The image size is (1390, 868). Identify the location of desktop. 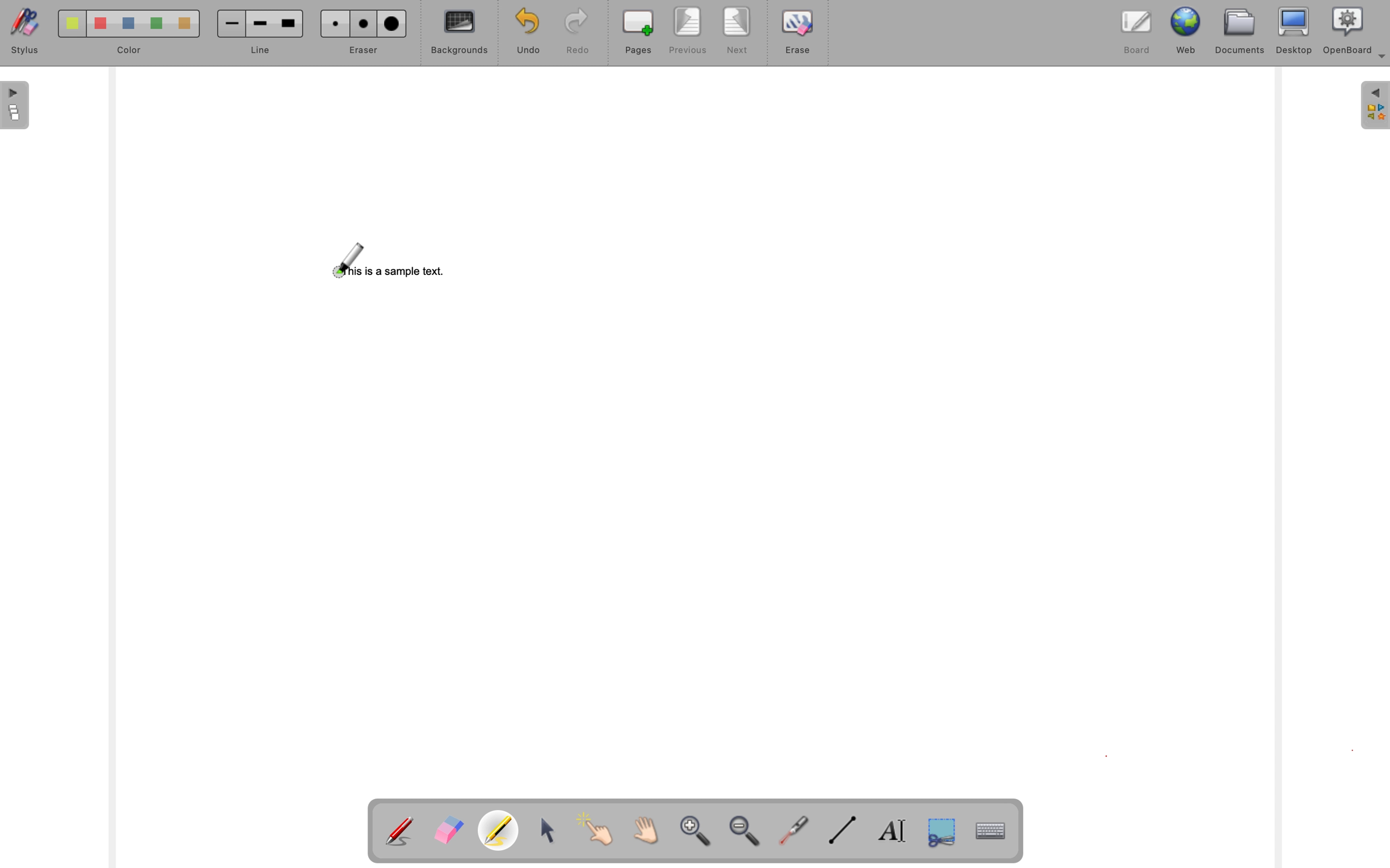
(1295, 31).